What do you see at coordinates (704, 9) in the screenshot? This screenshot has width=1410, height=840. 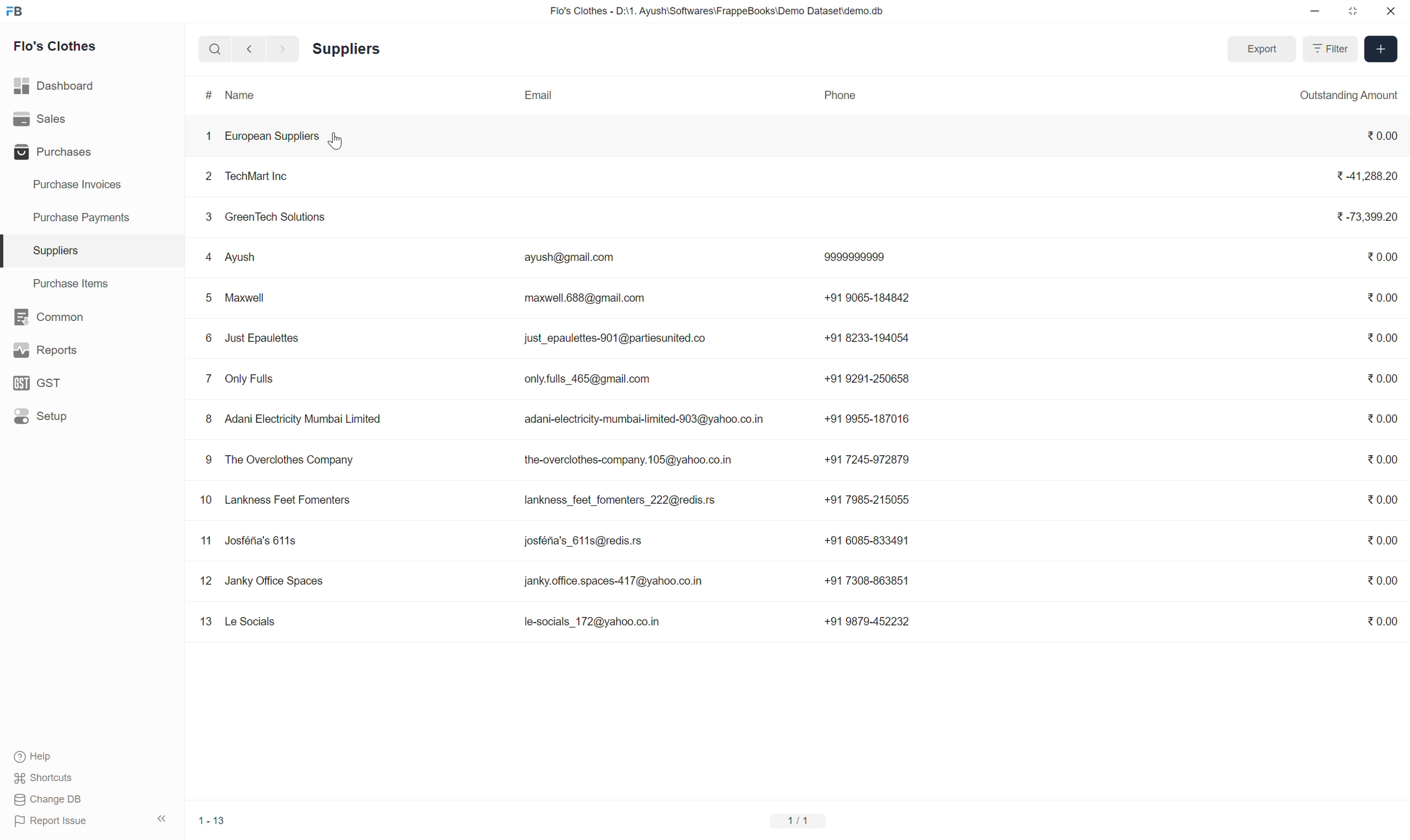 I see `Flo's Clothes - D:\1. Ayush\Softwares\FrappeBooks\Demo Dataset\demo.db` at bounding box center [704, 9].